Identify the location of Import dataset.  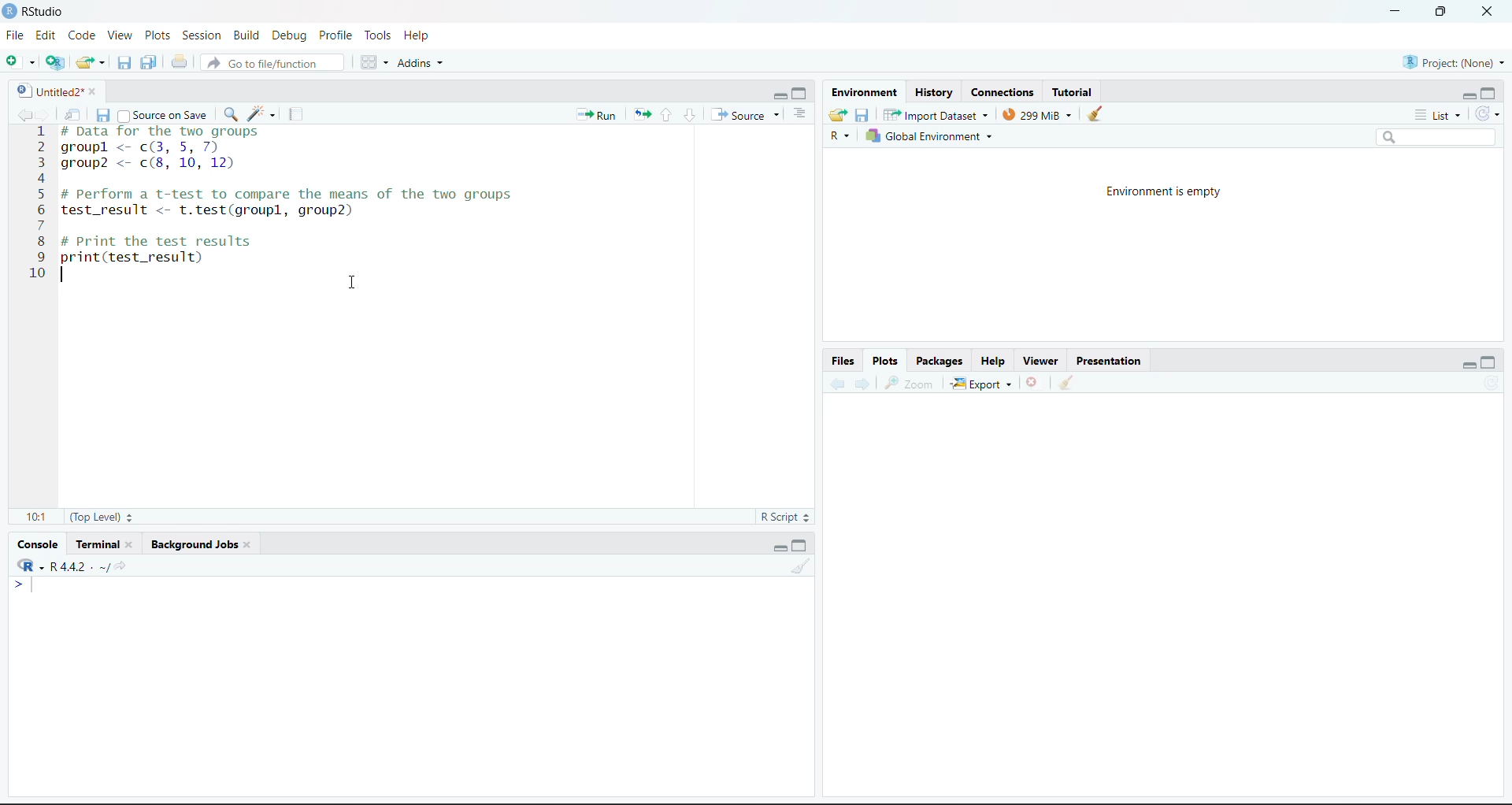
(937, 114).